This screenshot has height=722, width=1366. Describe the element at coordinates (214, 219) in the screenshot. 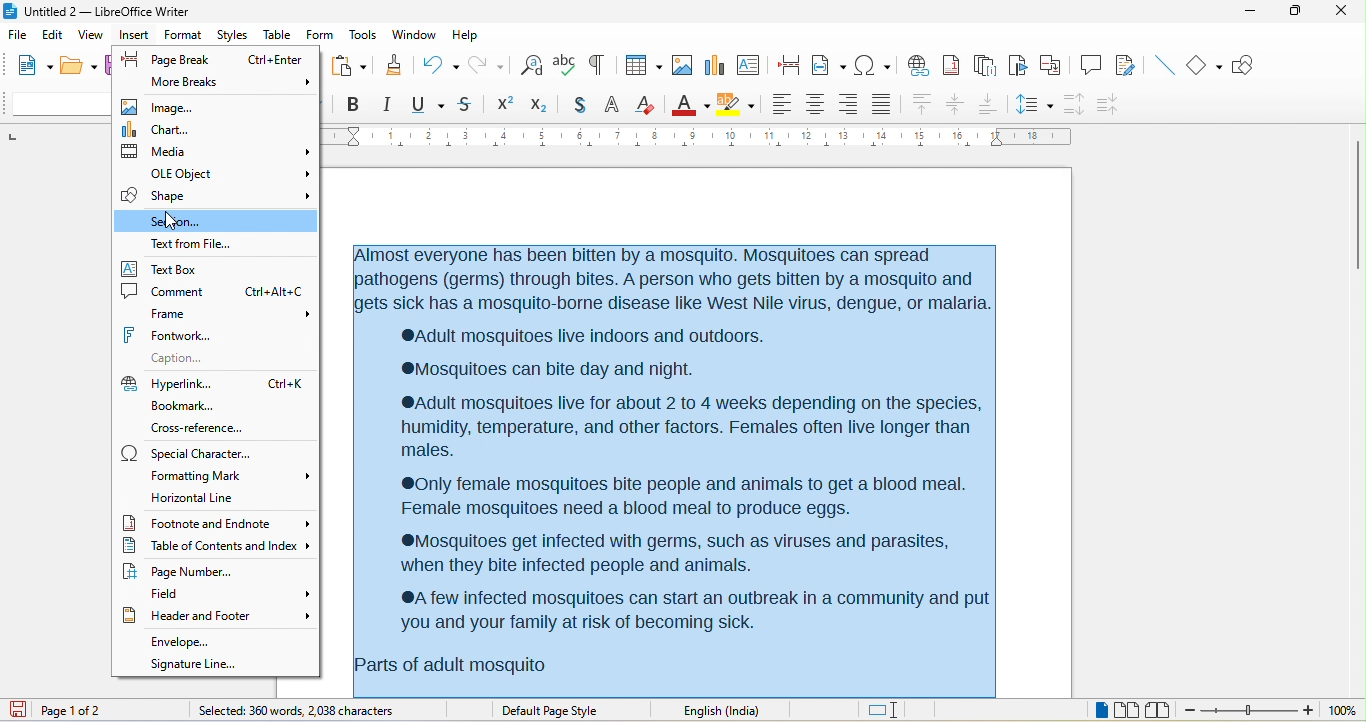

I see `section` at that location.